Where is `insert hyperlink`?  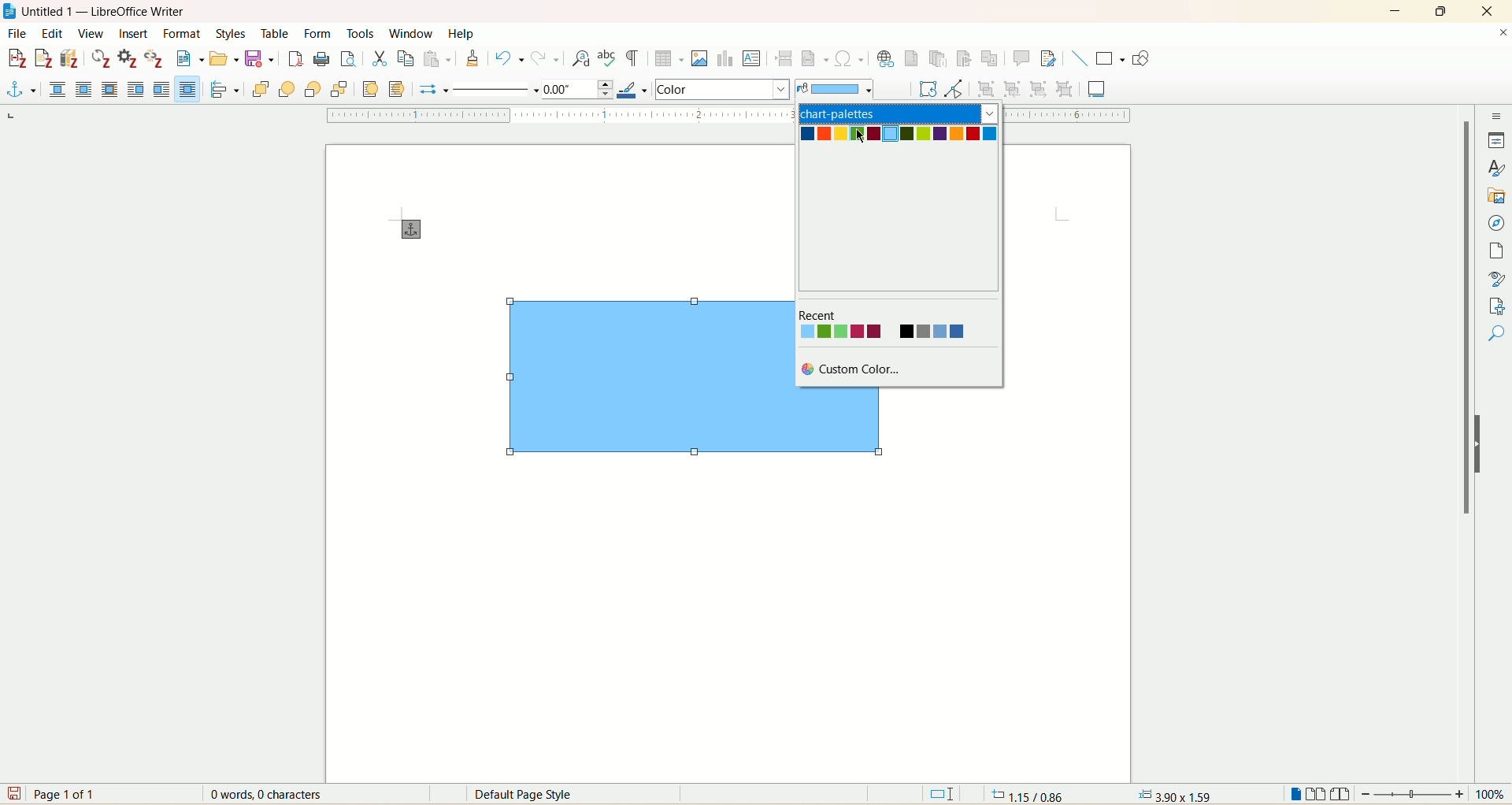
insert hyperlink is located at coordinates (885, 59).